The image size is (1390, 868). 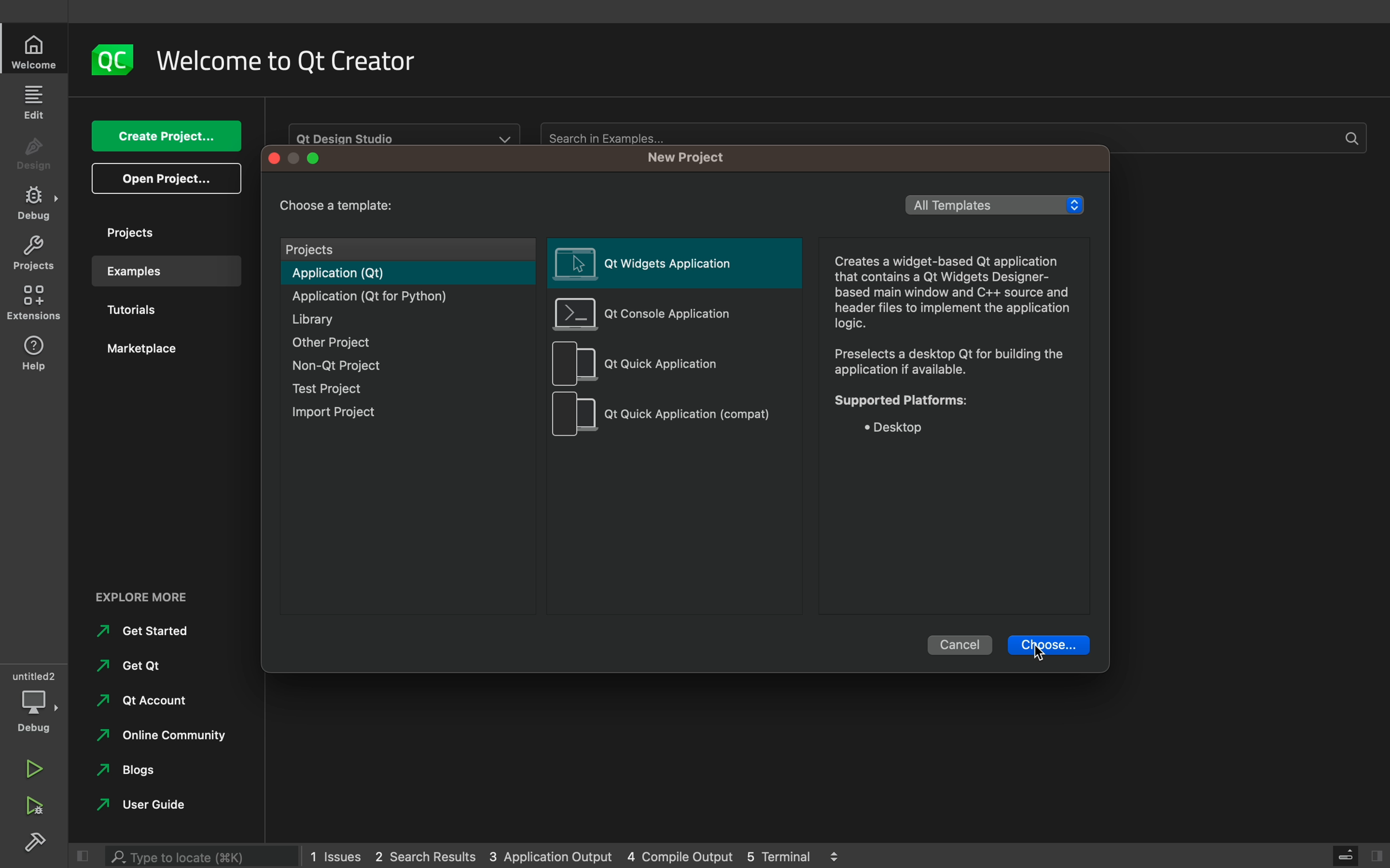 I want to click on welcome to qt creator, so click(x=296, y=61).